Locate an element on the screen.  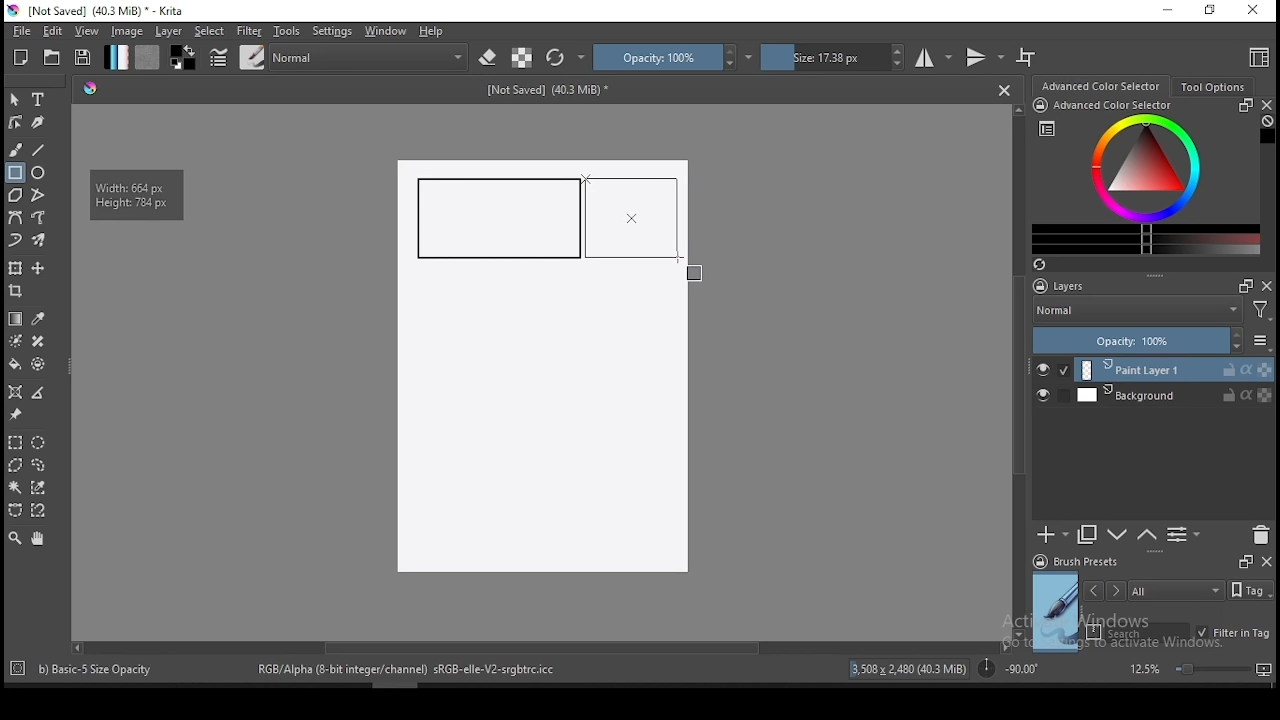
new rectangle is located at coordinates (496, 218).